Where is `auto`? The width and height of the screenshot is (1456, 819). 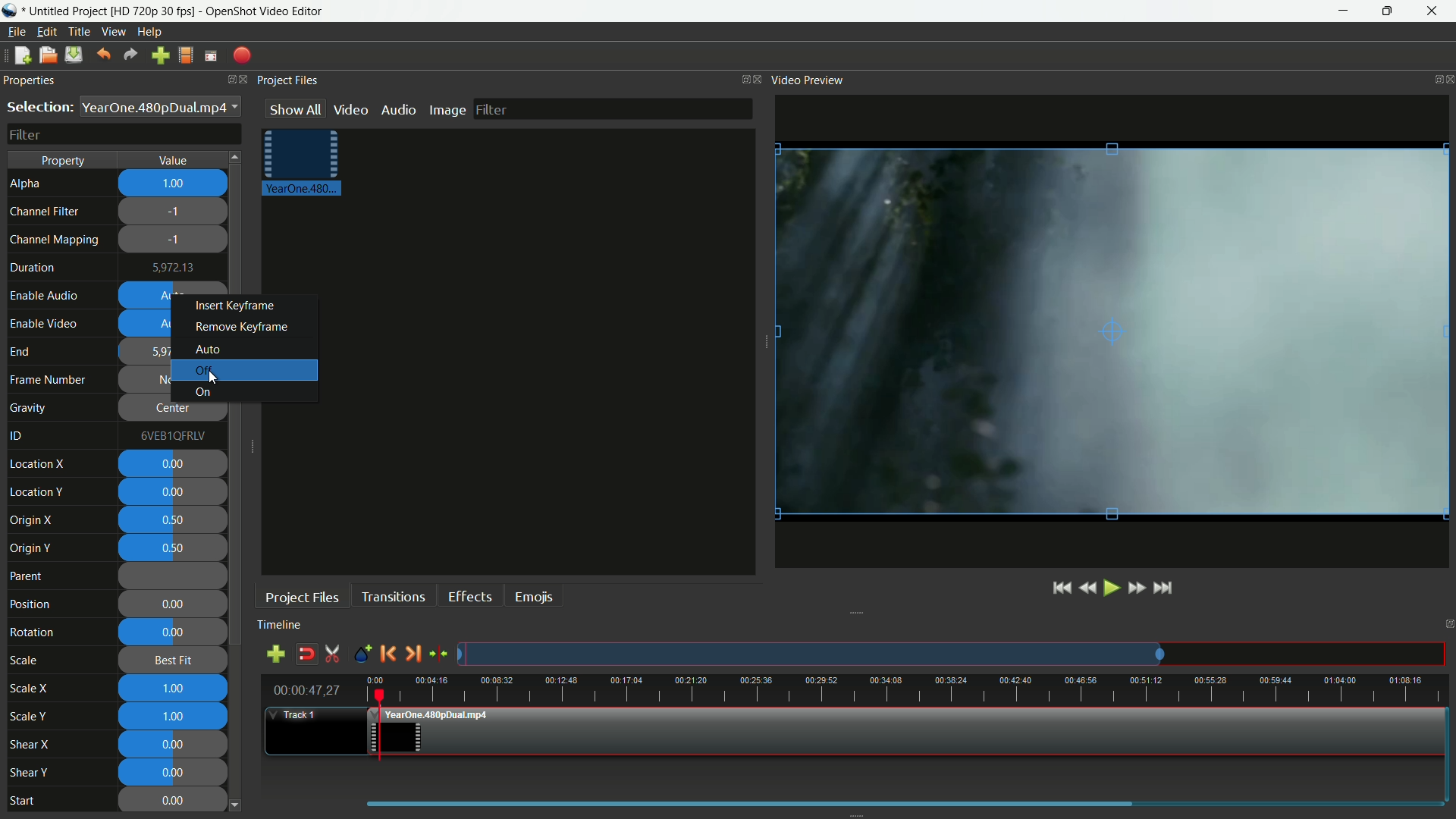
auto is located at coordinates (207, 352).